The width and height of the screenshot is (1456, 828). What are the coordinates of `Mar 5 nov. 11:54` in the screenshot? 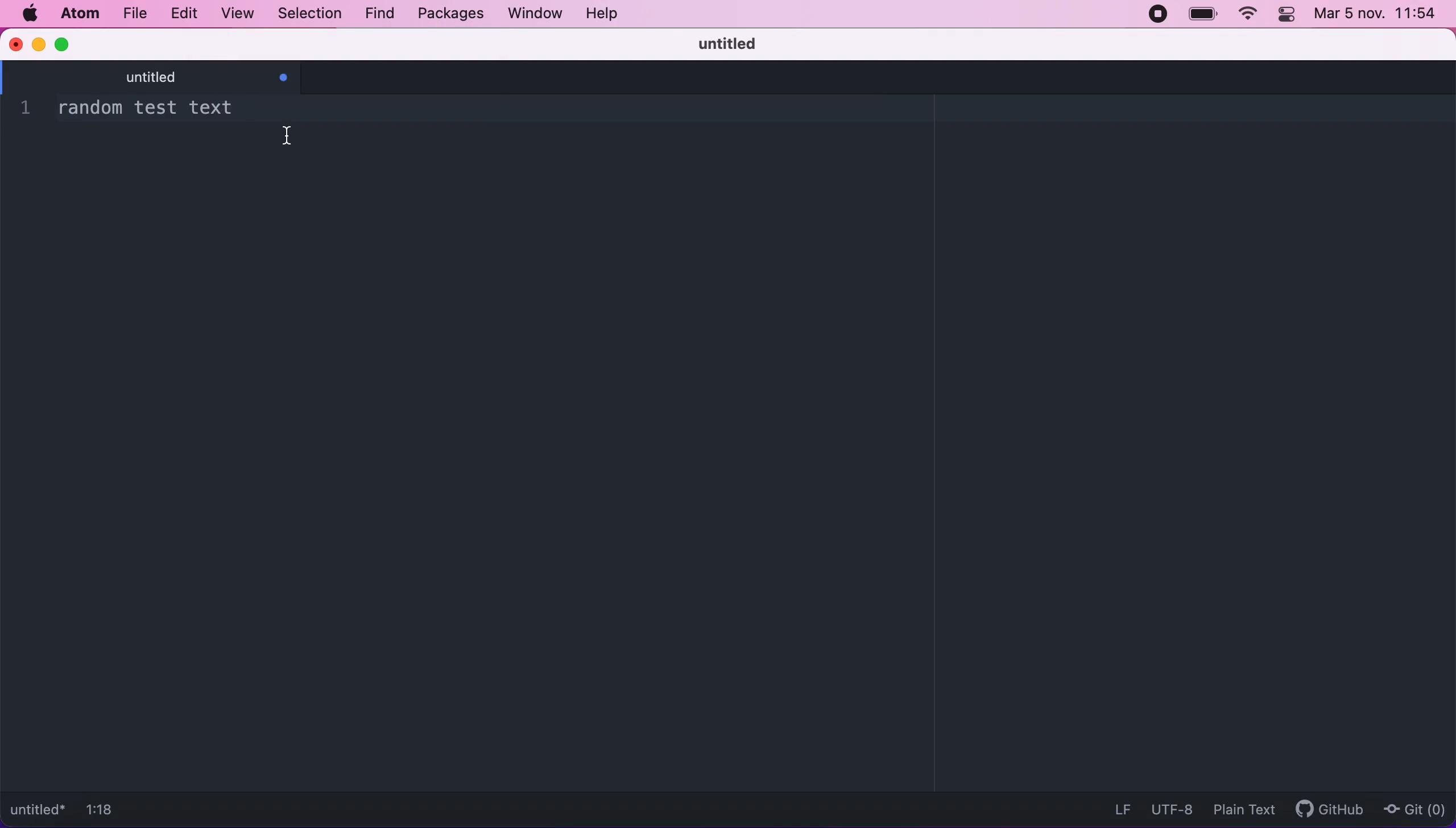 It's located at (1377, 14).